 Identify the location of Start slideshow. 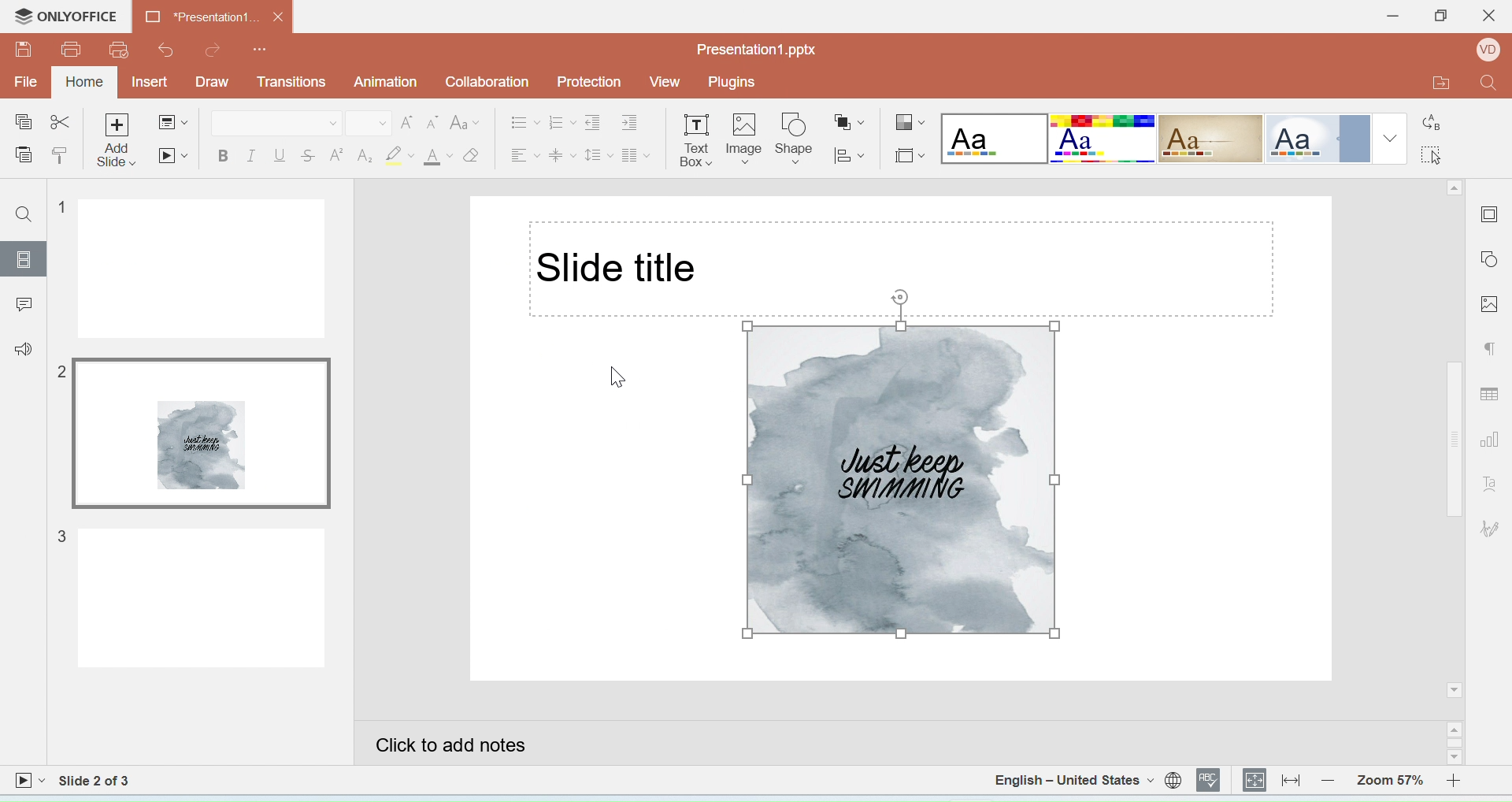
(172, 155).